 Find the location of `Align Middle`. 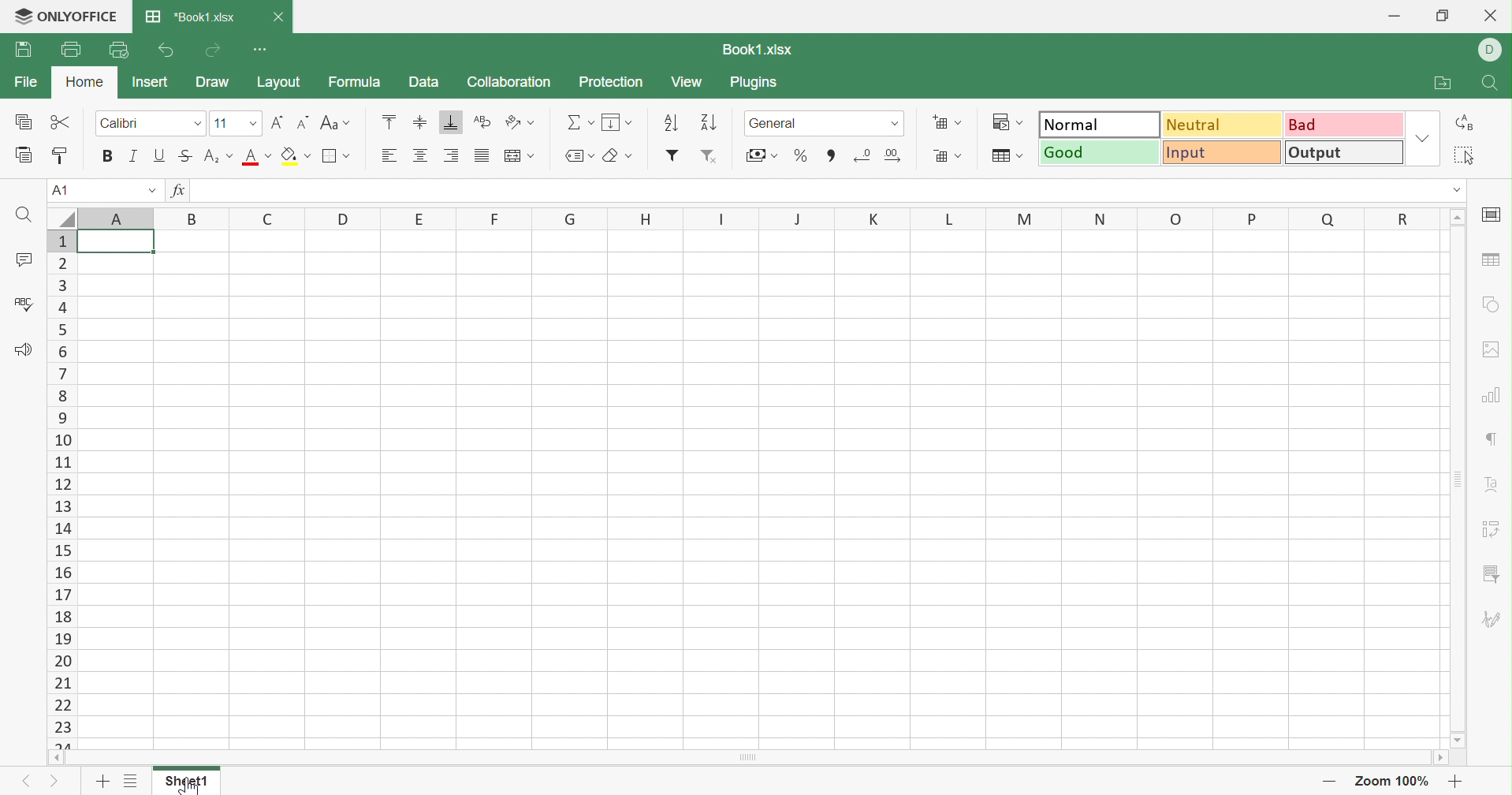

Align Middle is located at coordinates (419, 121).